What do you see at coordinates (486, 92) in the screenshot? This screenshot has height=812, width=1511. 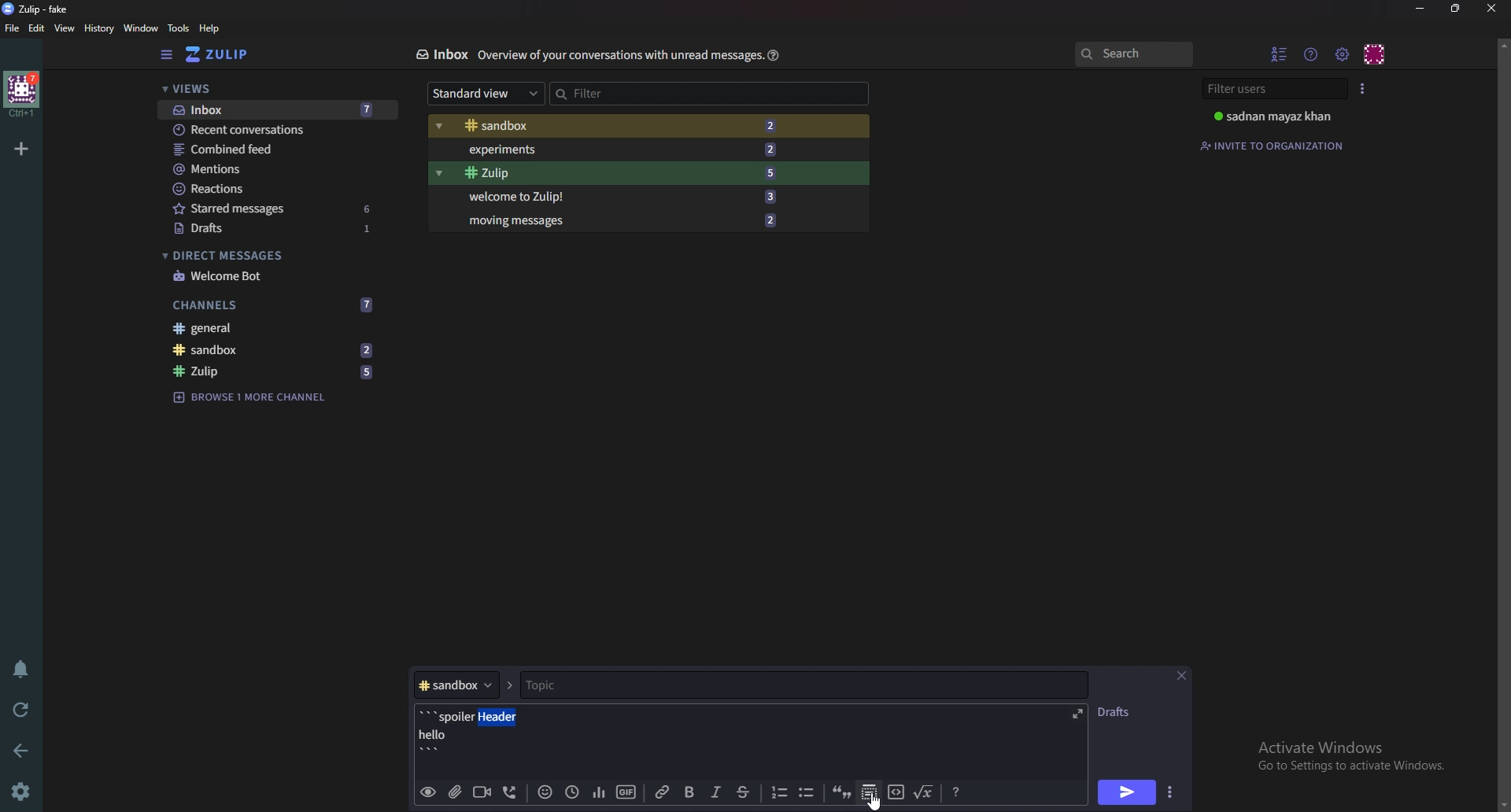 I see `Standard view` at bounding box center [486, 92].